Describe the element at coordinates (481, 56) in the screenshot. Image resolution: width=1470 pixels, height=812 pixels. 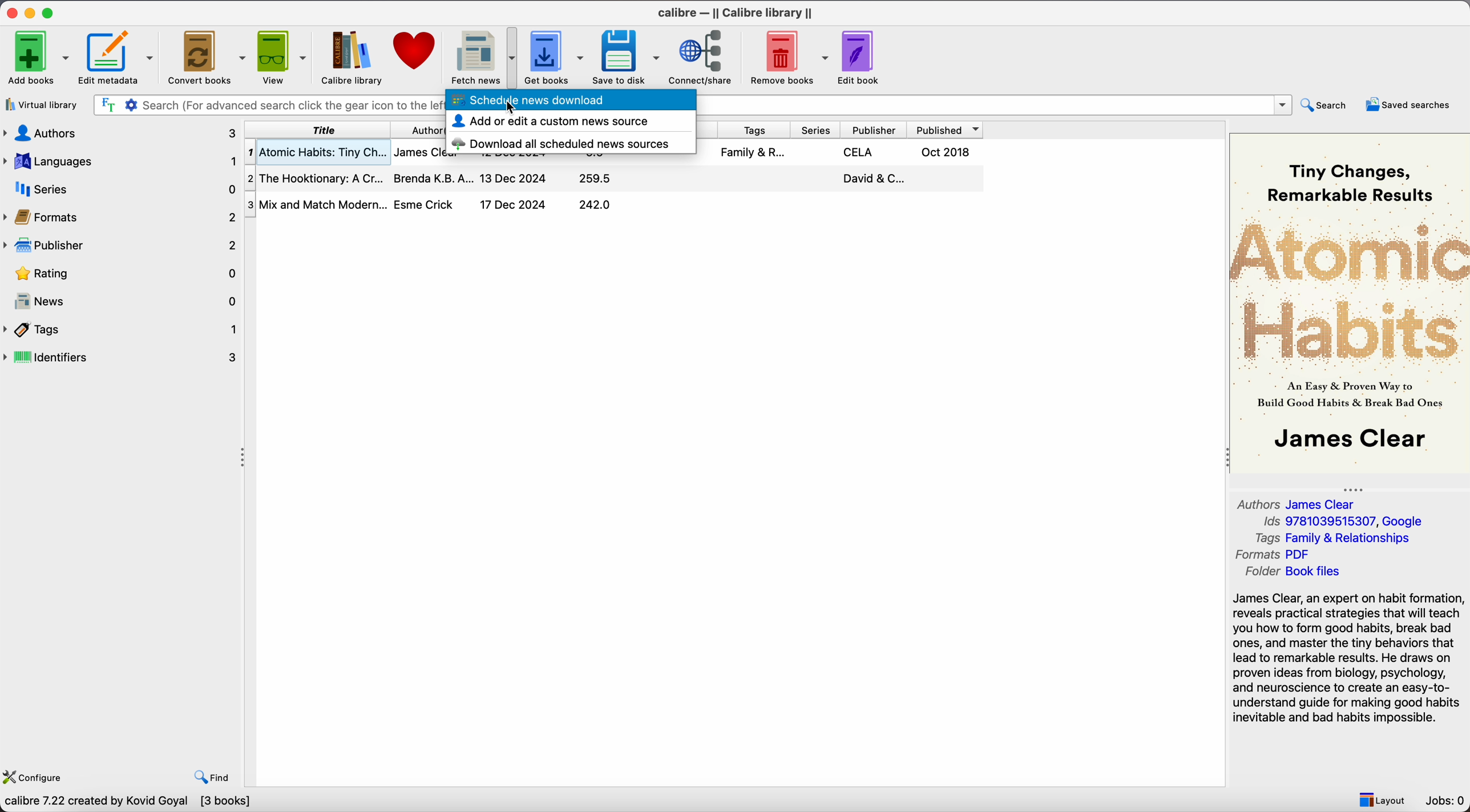
I see `click on fetch news options` at that location.